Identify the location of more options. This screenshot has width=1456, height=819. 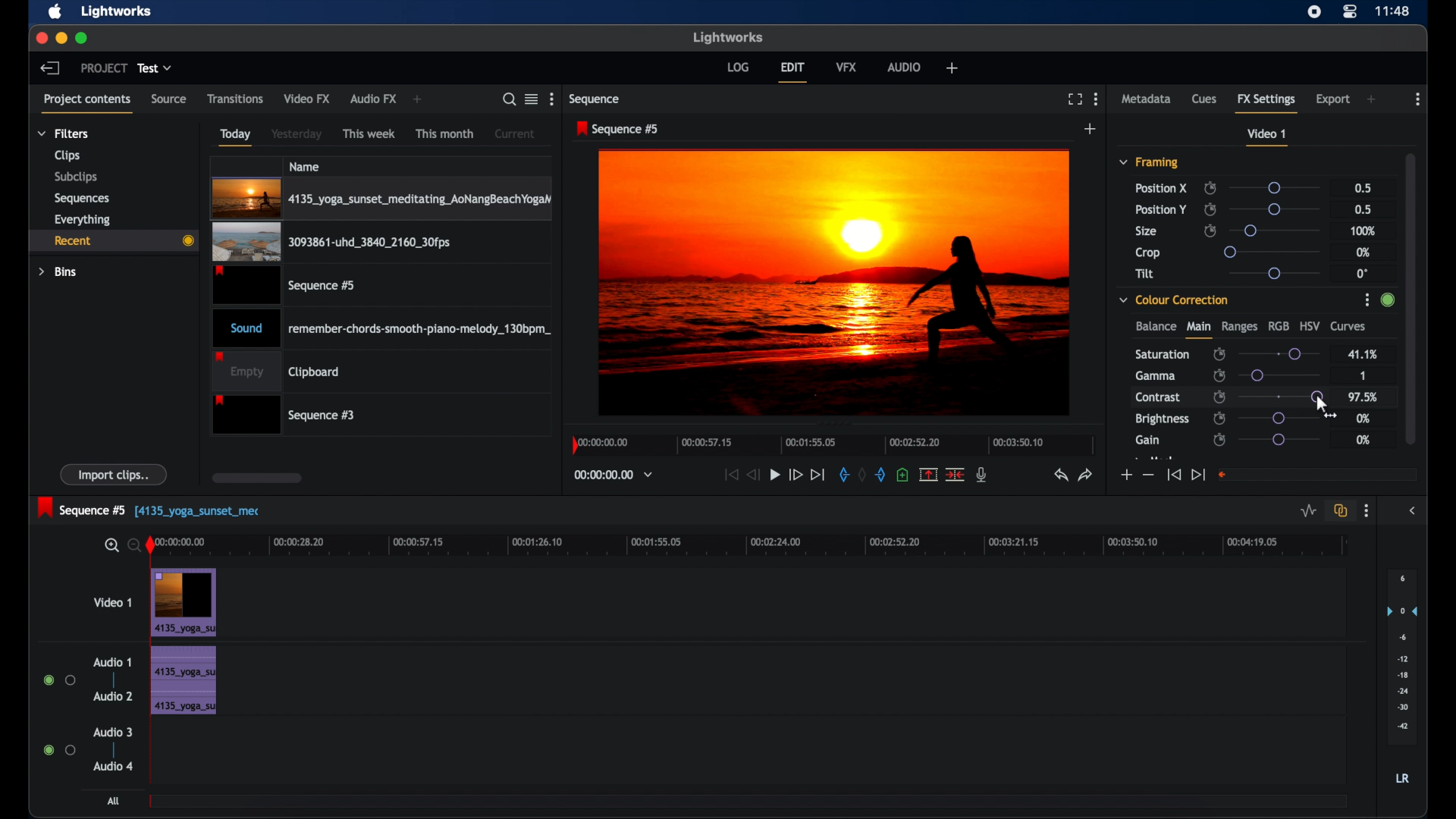
(1367, 511).